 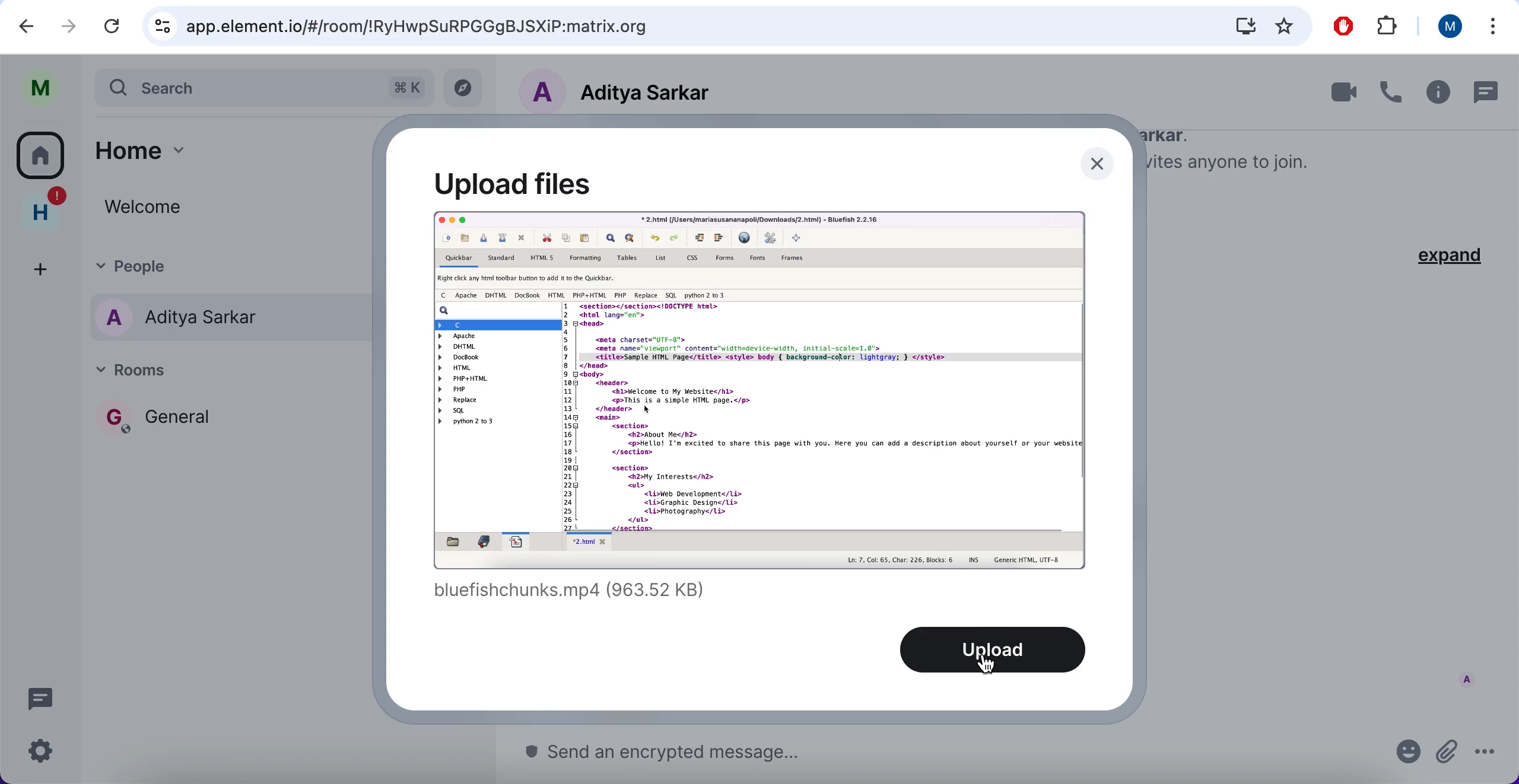 What do you see at coordinates (234, 318) in the screenshot?
I see `people` at bounding box center [234, 318].